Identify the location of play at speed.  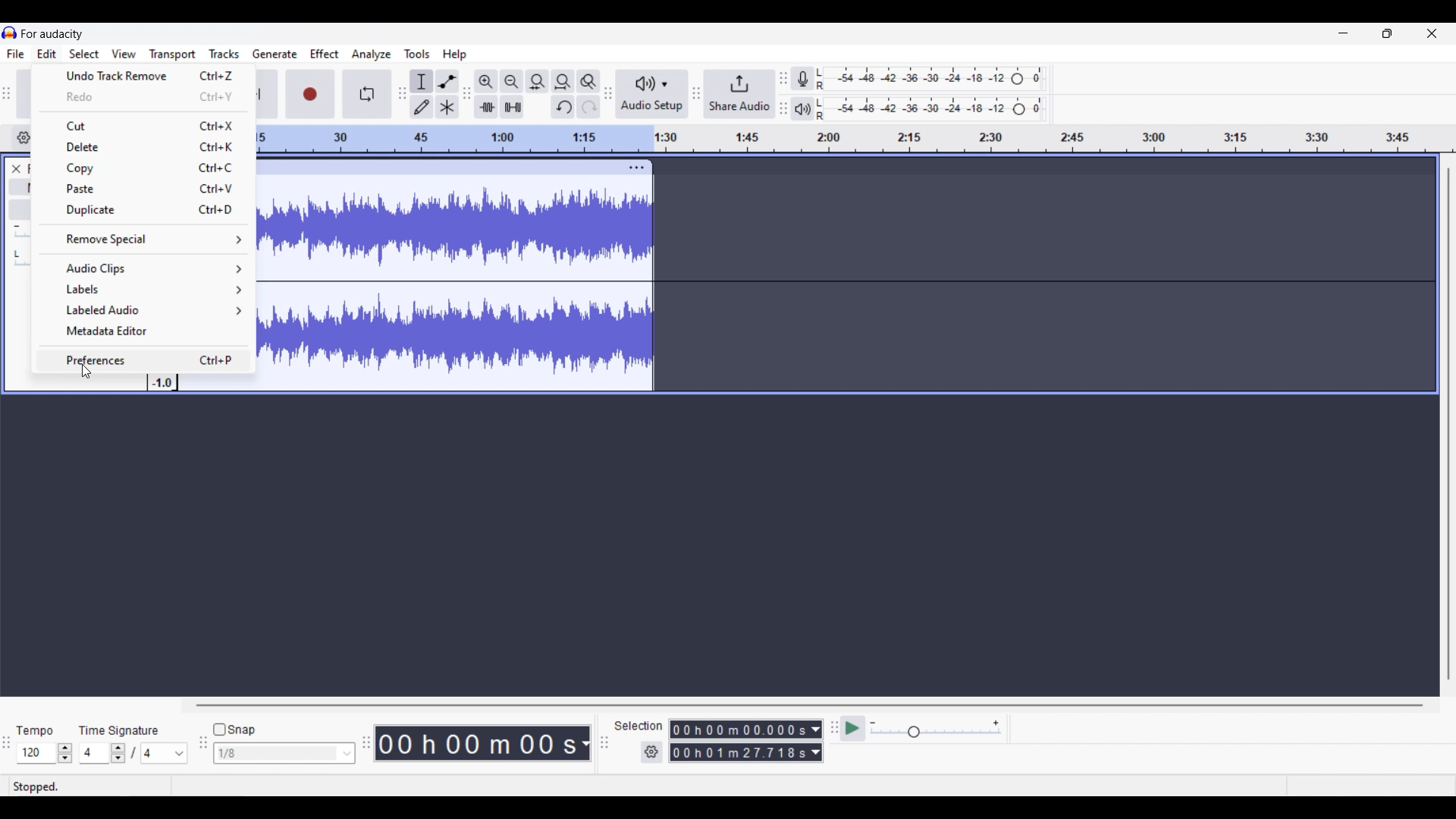
(852, 727).